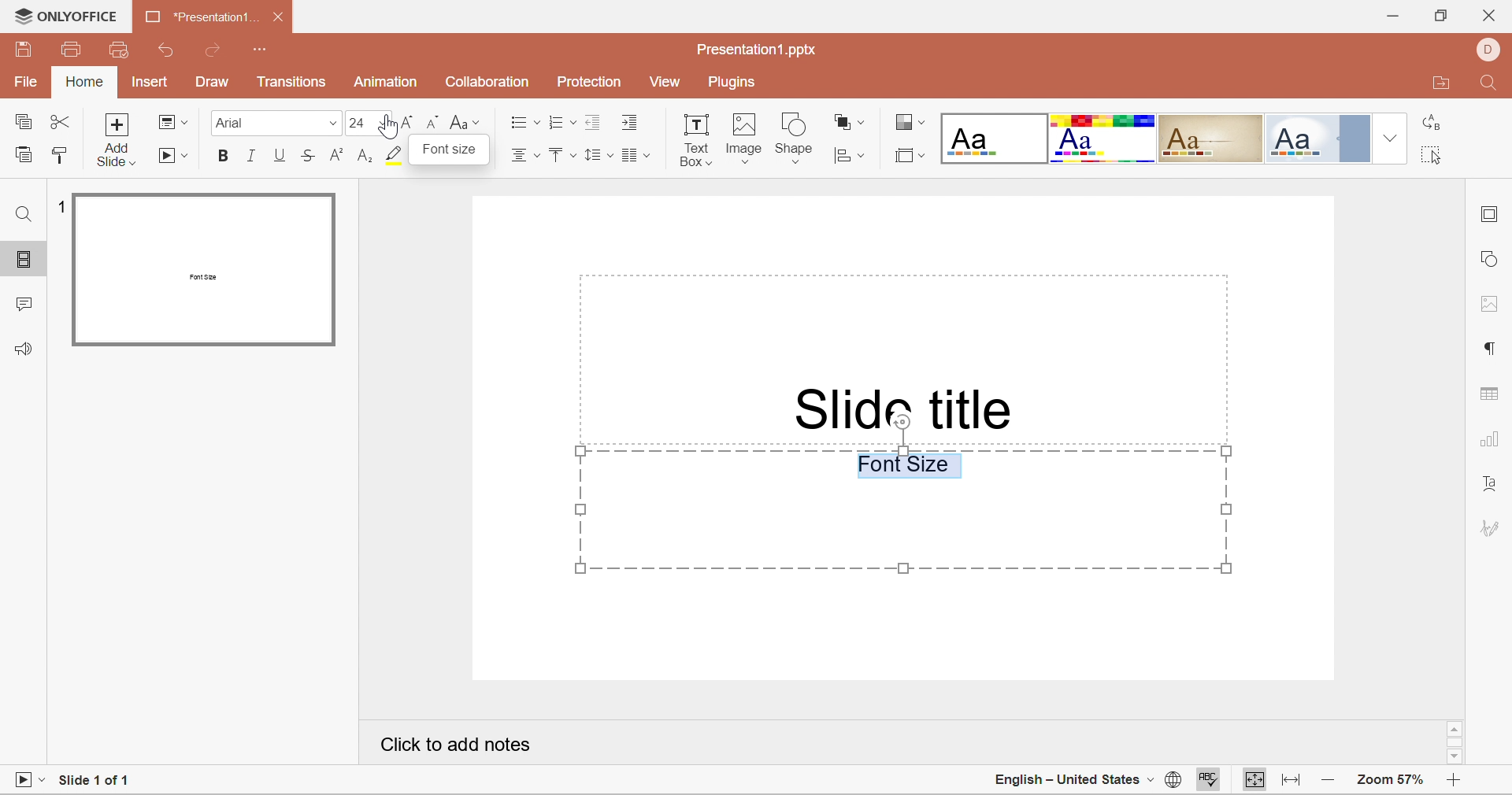  I want to click on Drop Down, so click(1391, 135).